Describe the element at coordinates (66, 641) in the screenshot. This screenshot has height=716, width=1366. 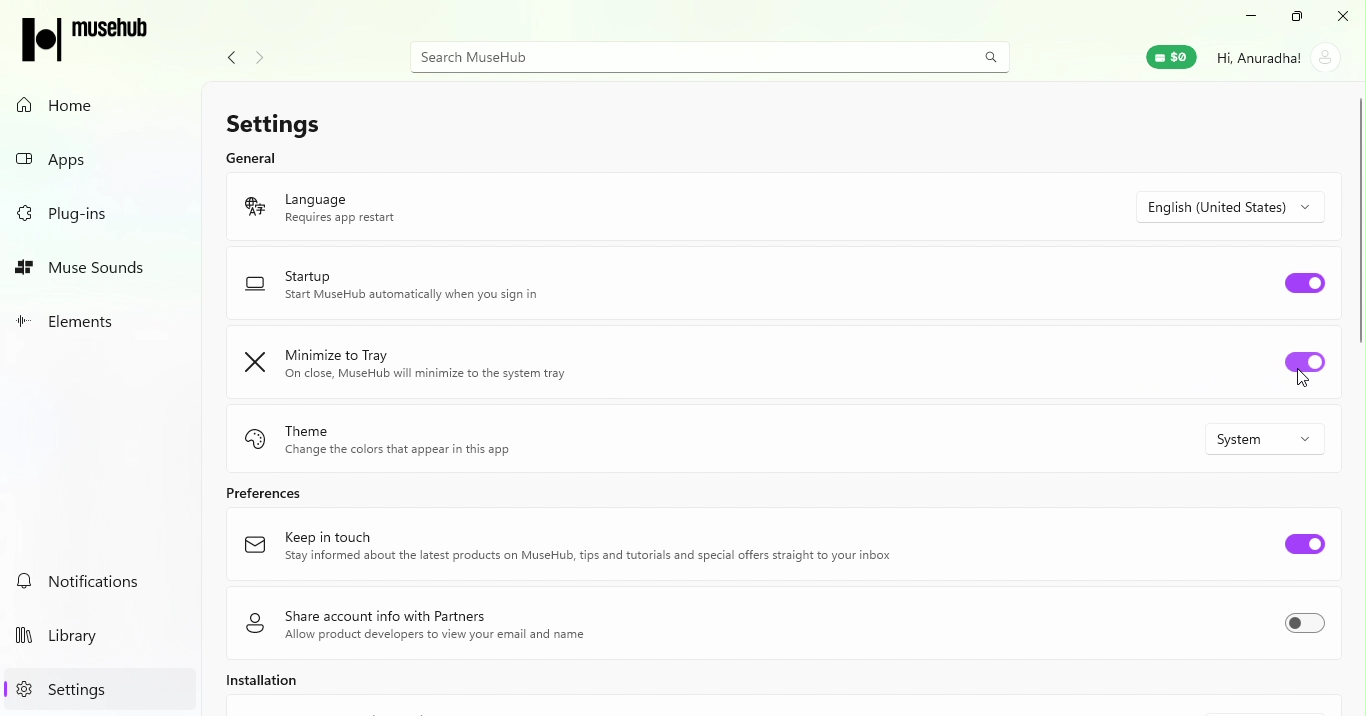
I see `Library` at that location.